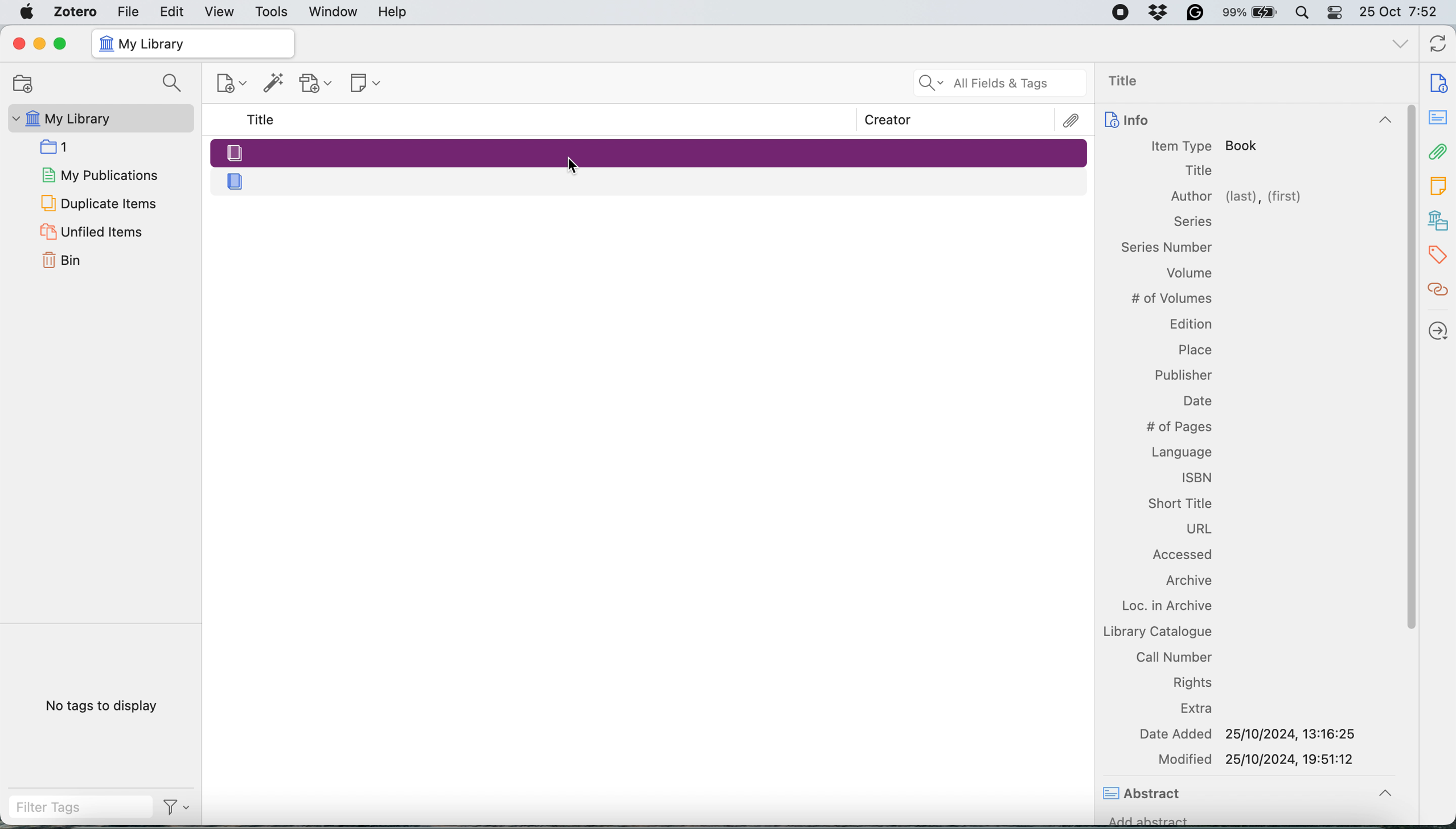  Describe the element at coordinates (94, 231) in the screenshot. I see `Unfiled Items` at that location.